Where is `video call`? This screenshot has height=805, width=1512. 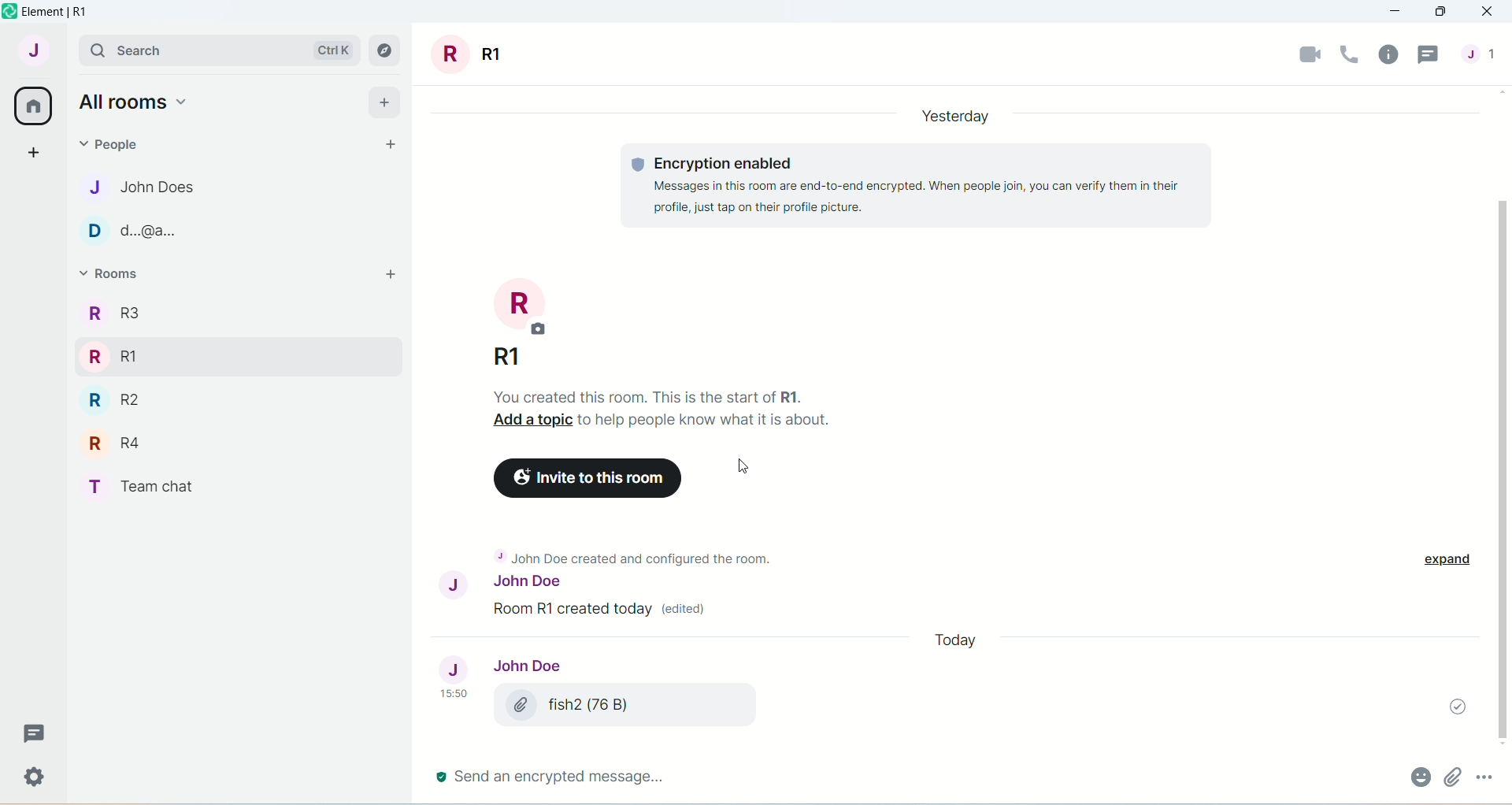 video call is located at coordinates (1303, 57).